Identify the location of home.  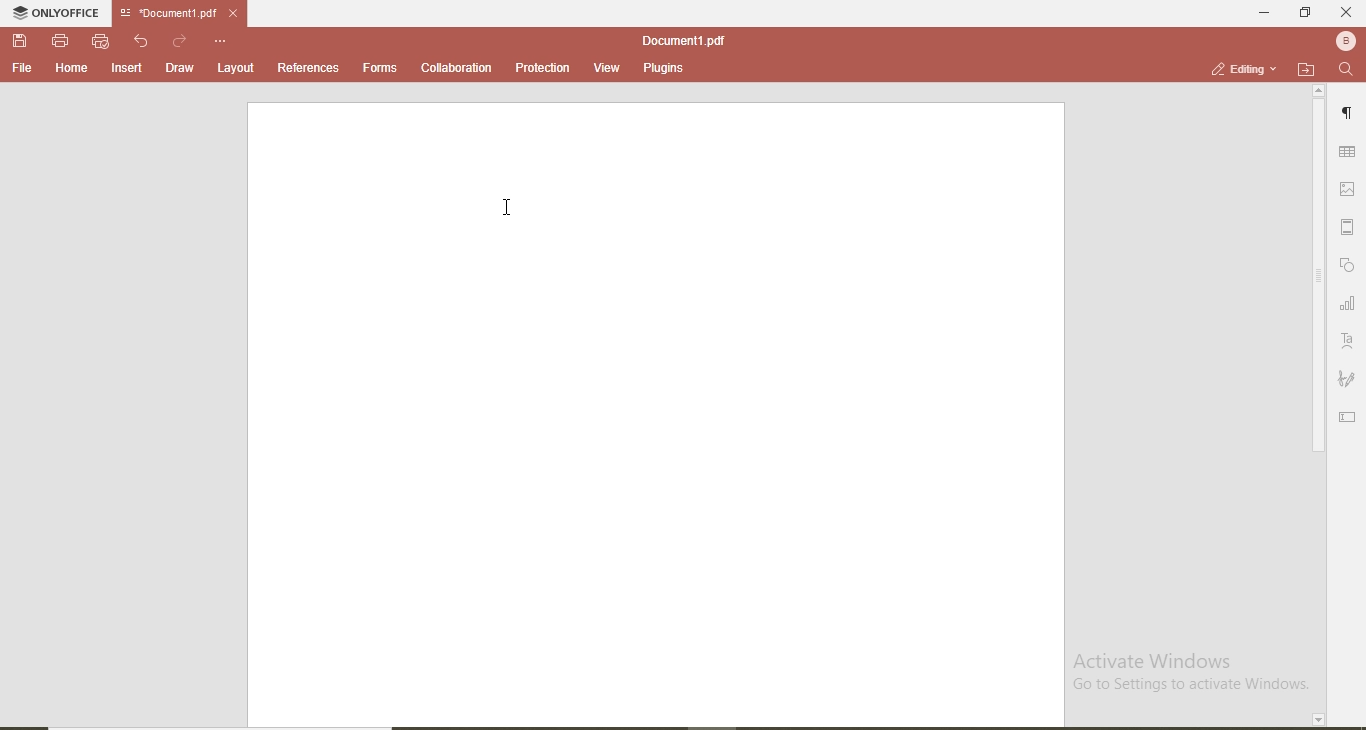
(73, 69).